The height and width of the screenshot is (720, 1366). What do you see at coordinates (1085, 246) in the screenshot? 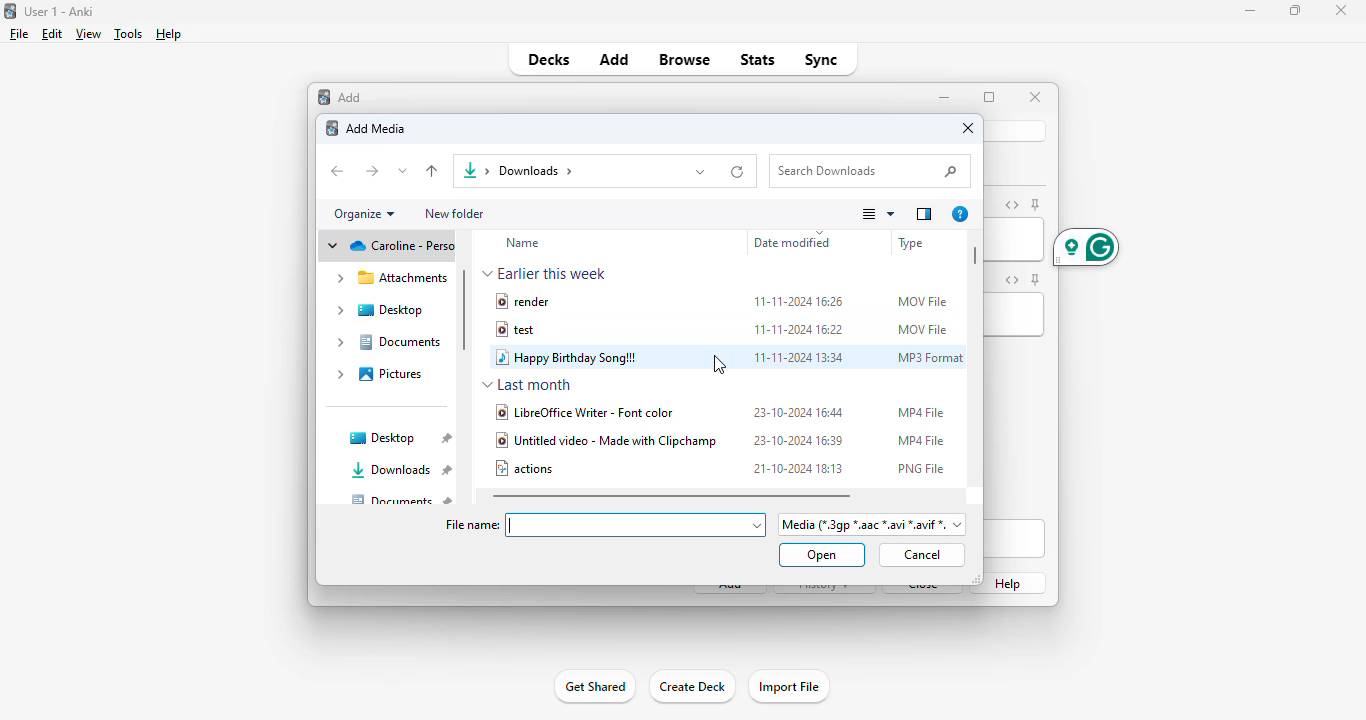
I see `grammarly extension` at bounding box center [1085, 246].